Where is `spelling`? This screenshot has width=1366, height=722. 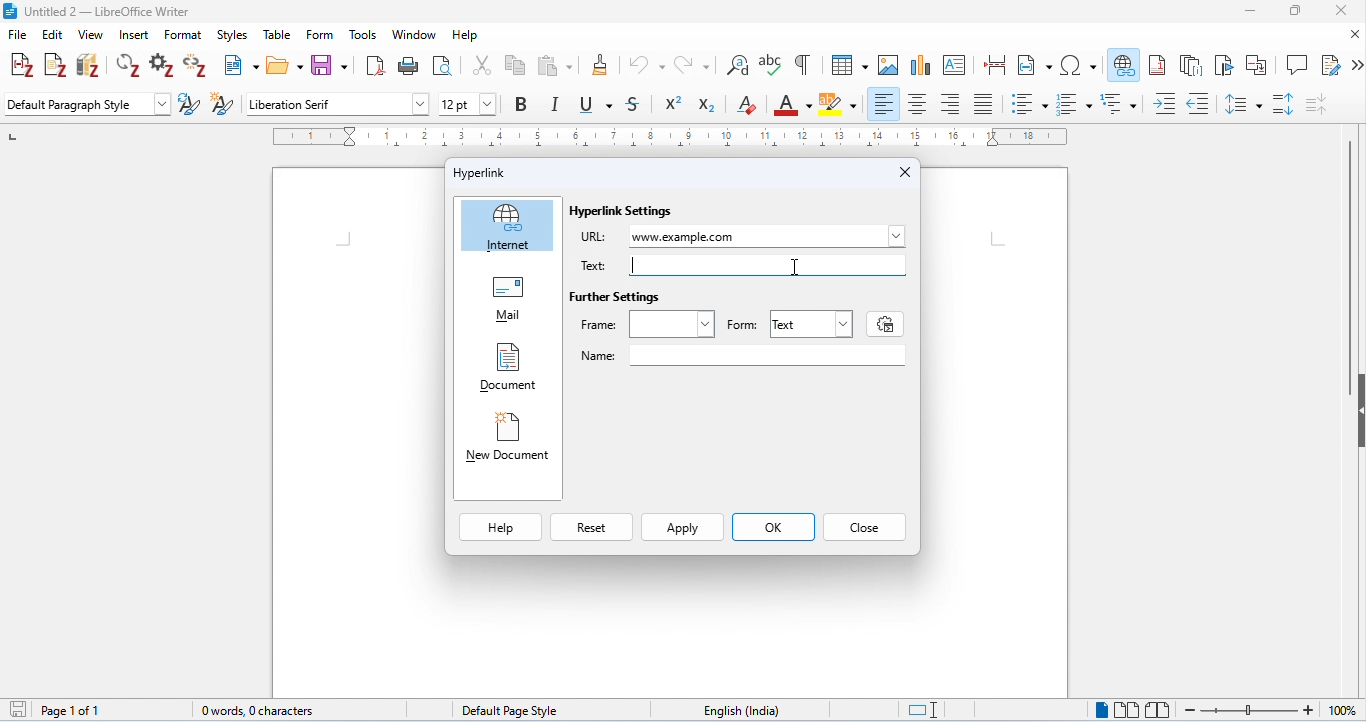 spelling is located at coordinates (772, 65).